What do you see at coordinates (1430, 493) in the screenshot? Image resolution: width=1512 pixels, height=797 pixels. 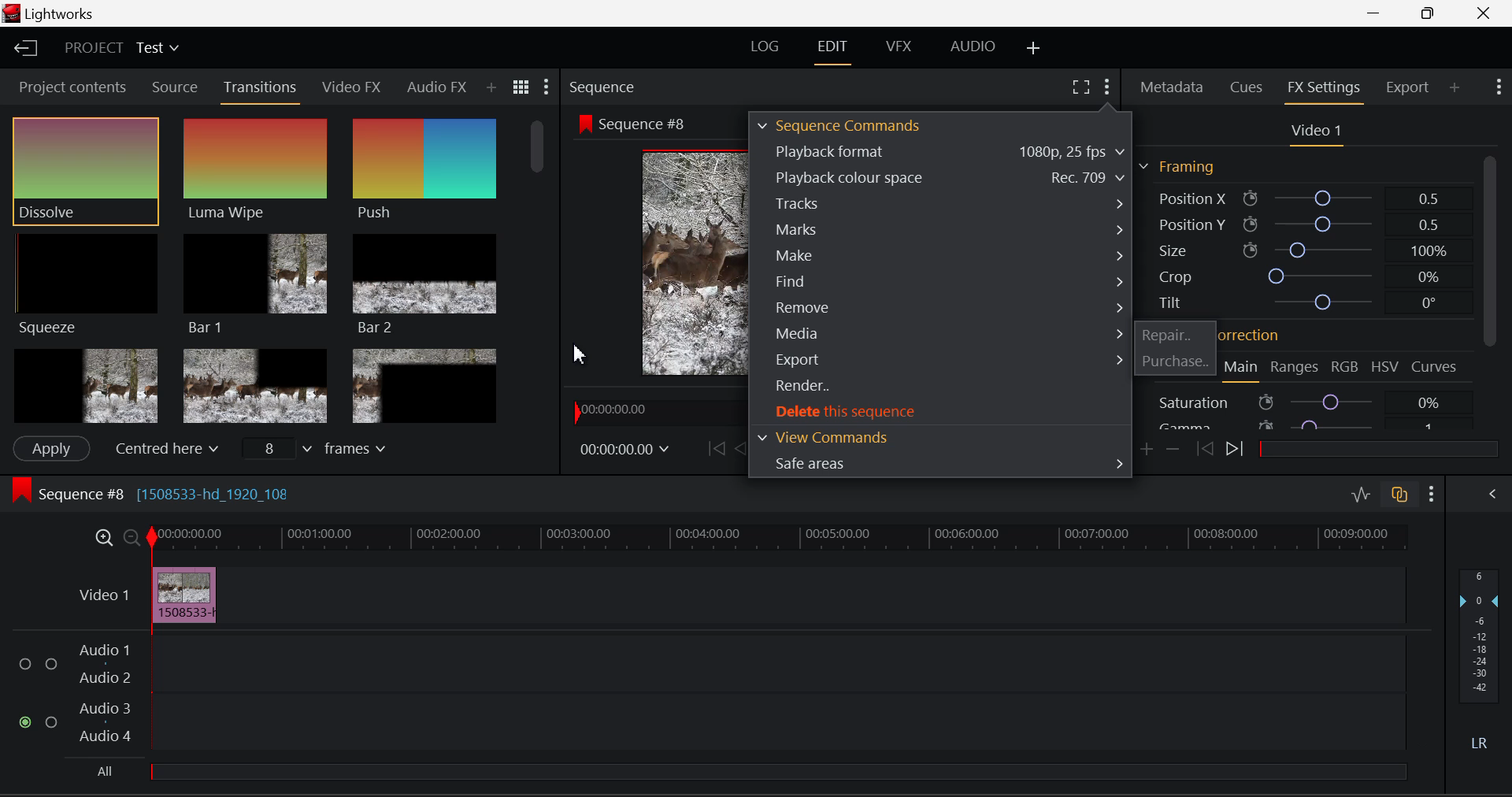 I see `Show Settings` at bounding box center [1430, 493].